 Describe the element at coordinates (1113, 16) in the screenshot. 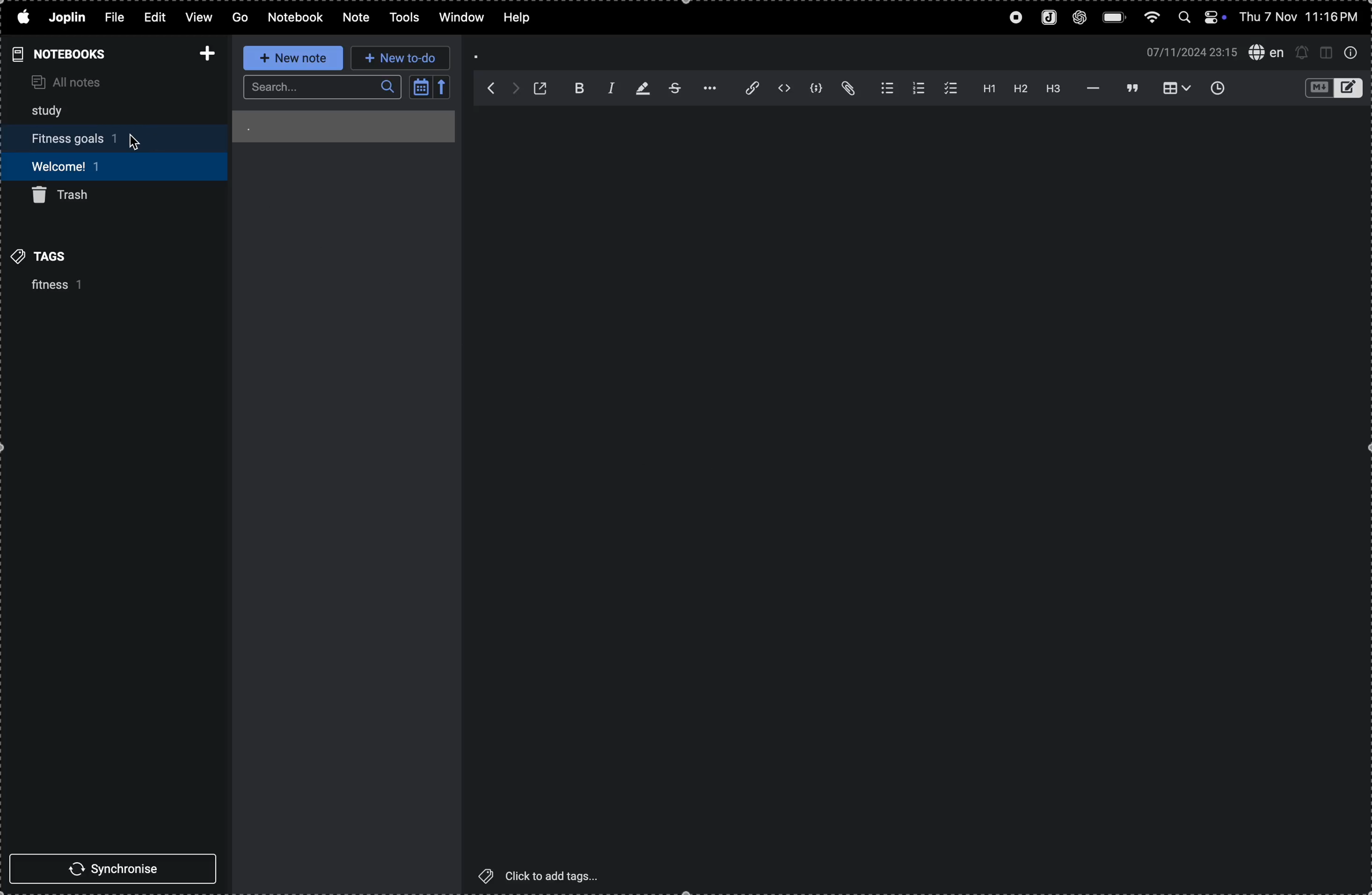

I see `battery` at that location.